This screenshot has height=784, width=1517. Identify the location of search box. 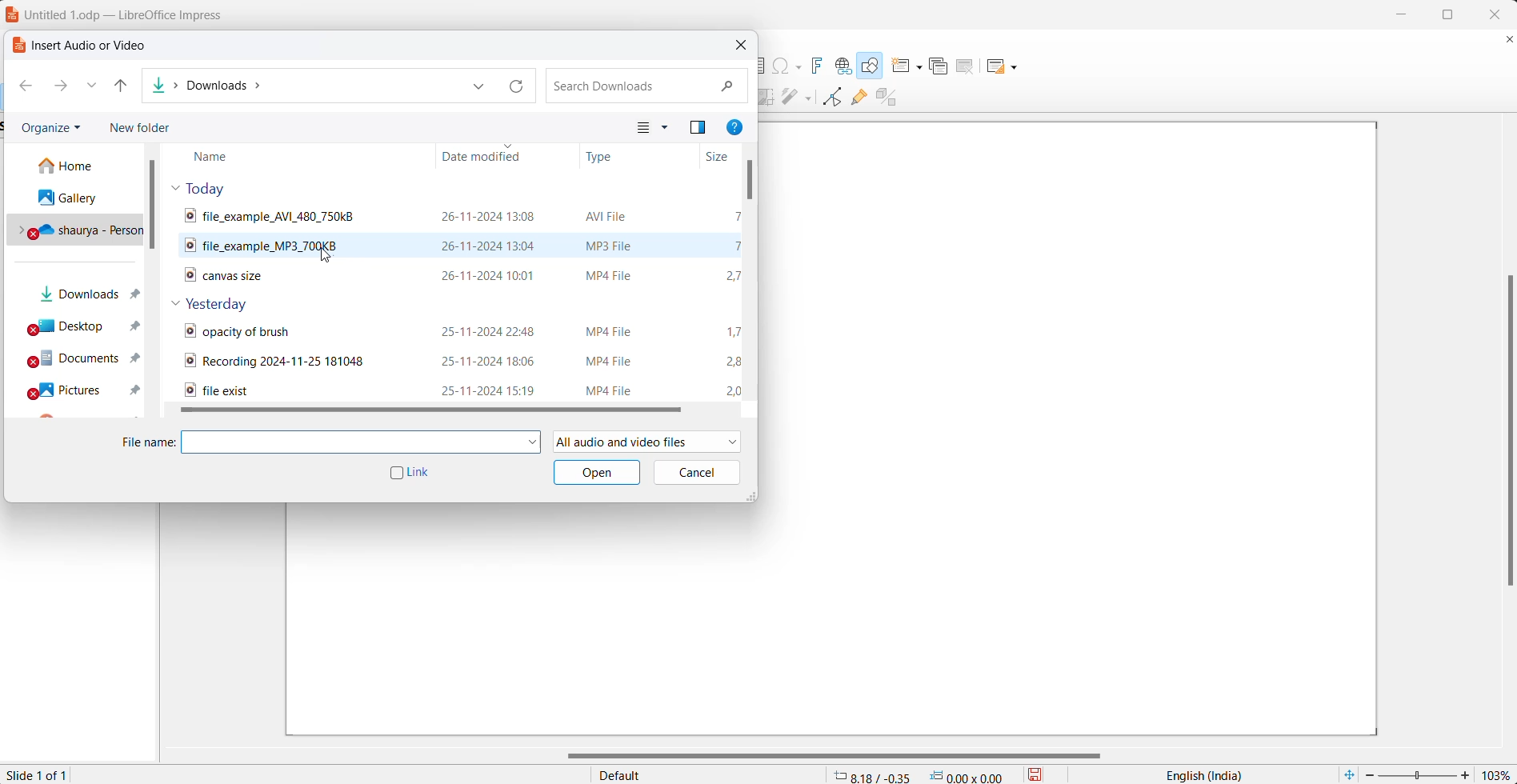
(649, 85).